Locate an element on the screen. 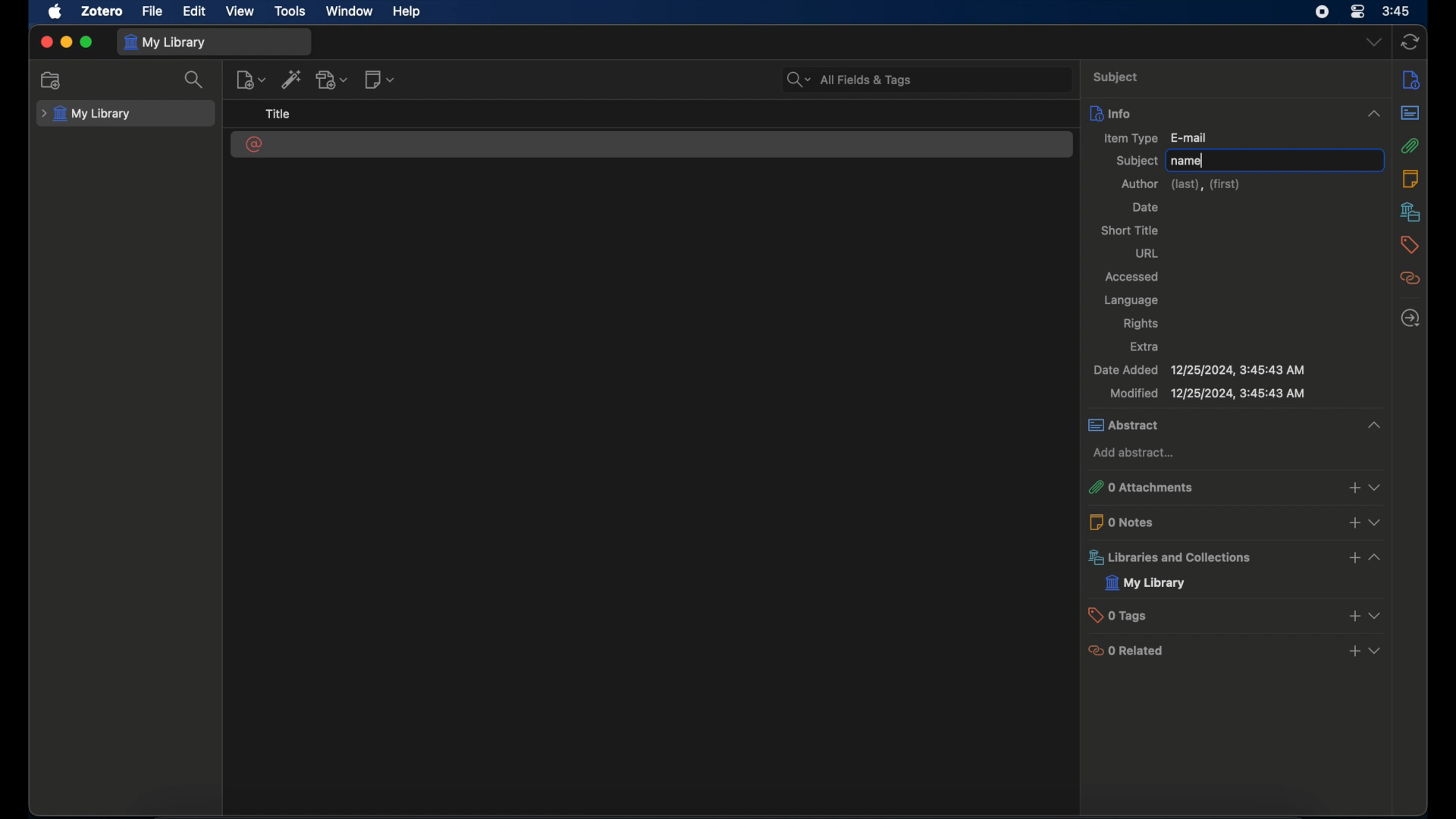 This screenshot has height=819, width=1456. minimize is located at coordinates (67, 42).